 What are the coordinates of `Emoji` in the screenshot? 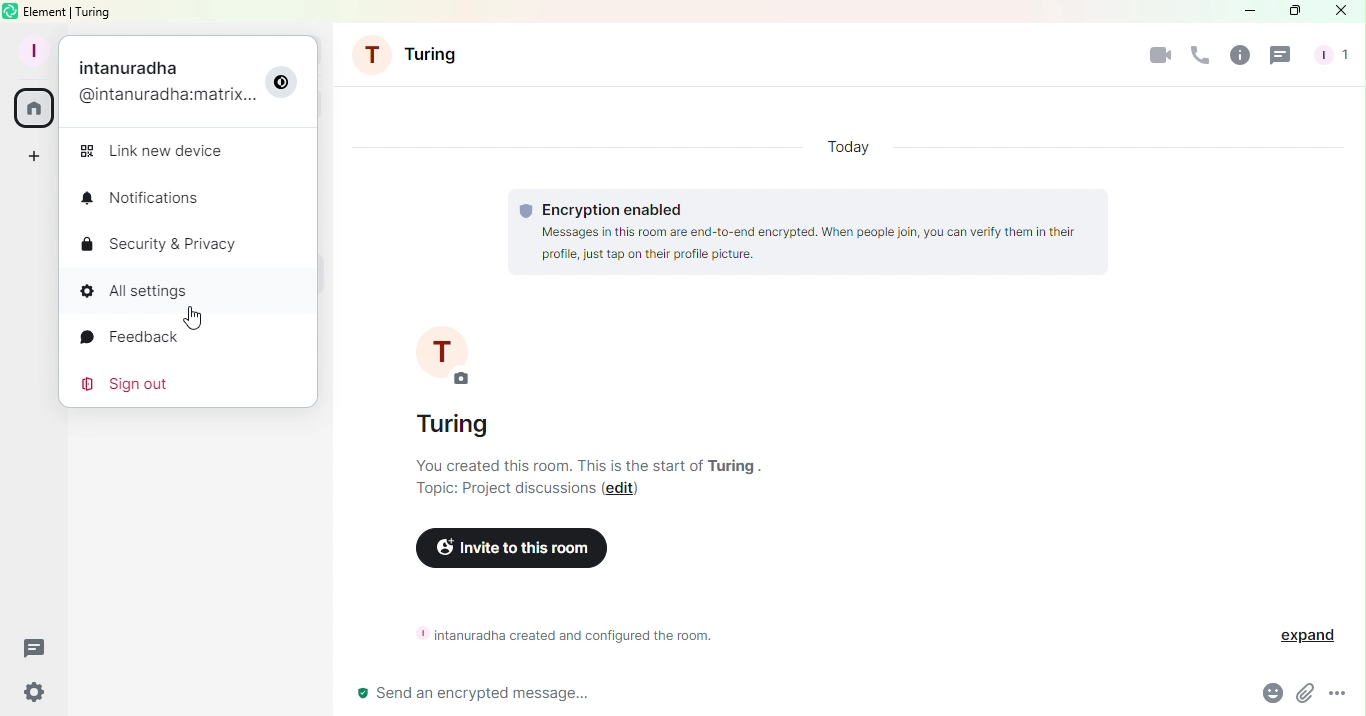 It's located at (1269, 695).